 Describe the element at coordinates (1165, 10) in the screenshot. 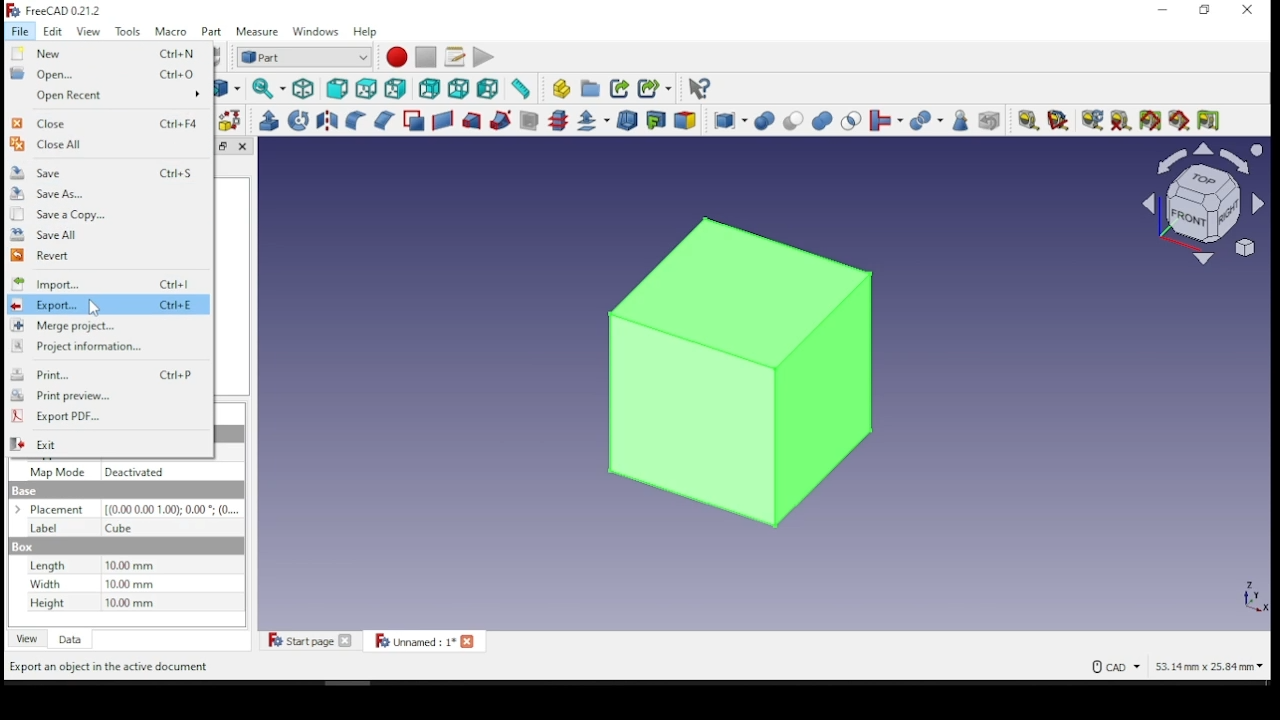

I see `minimize` at that location.